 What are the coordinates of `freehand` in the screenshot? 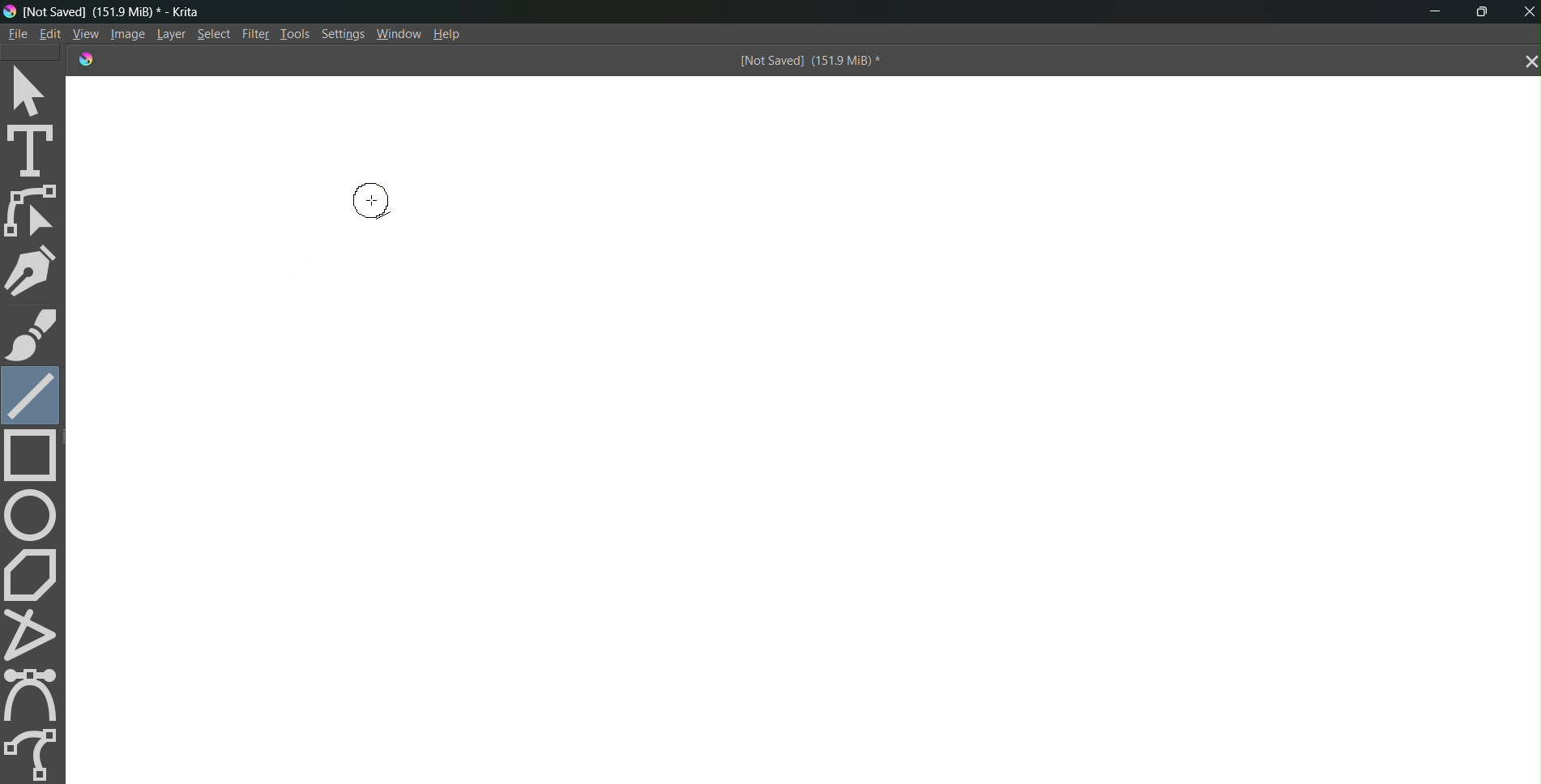 It's located at (34, 752).